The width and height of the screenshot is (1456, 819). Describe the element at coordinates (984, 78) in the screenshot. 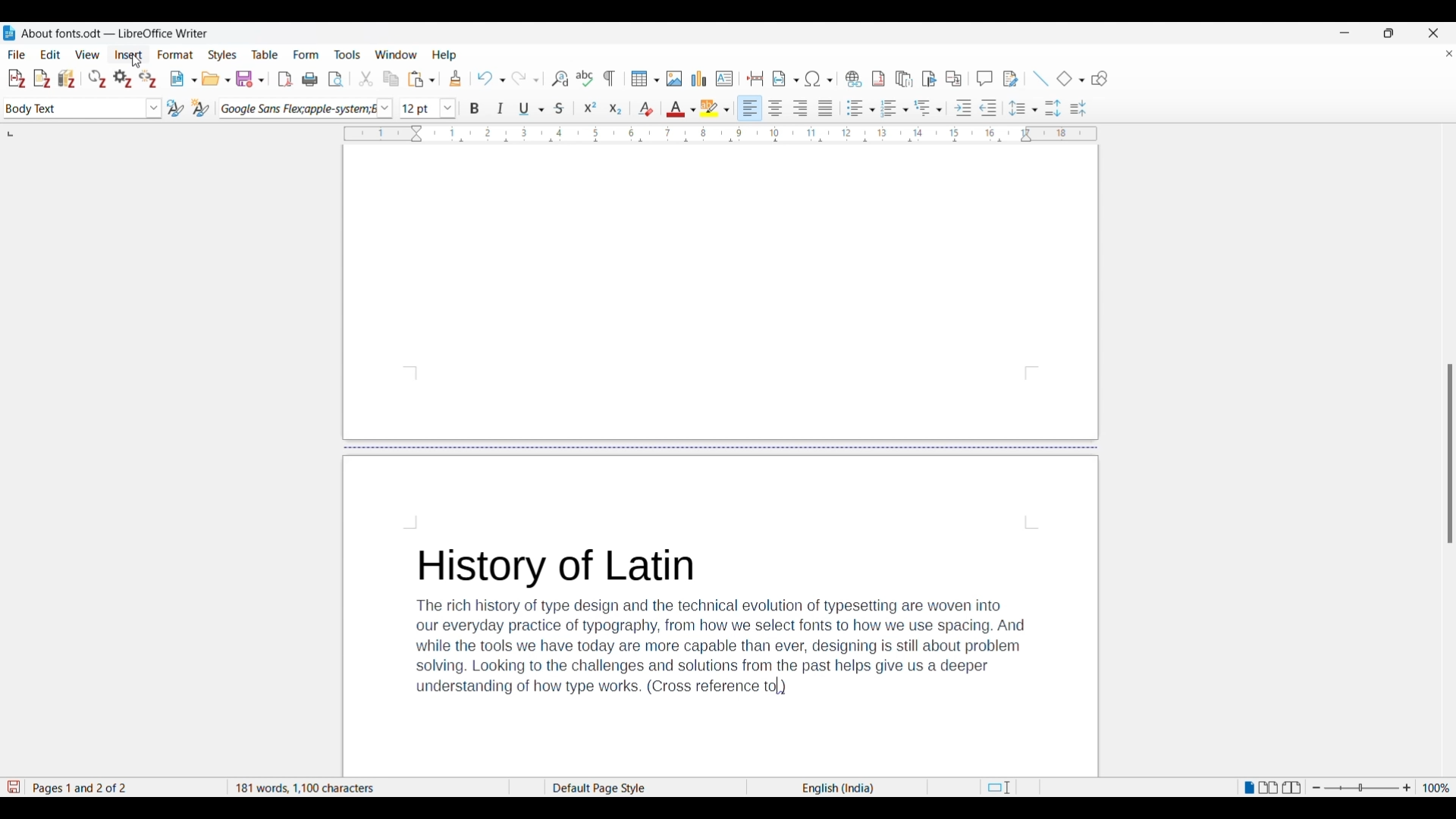

I see `Insert comment` at that location.